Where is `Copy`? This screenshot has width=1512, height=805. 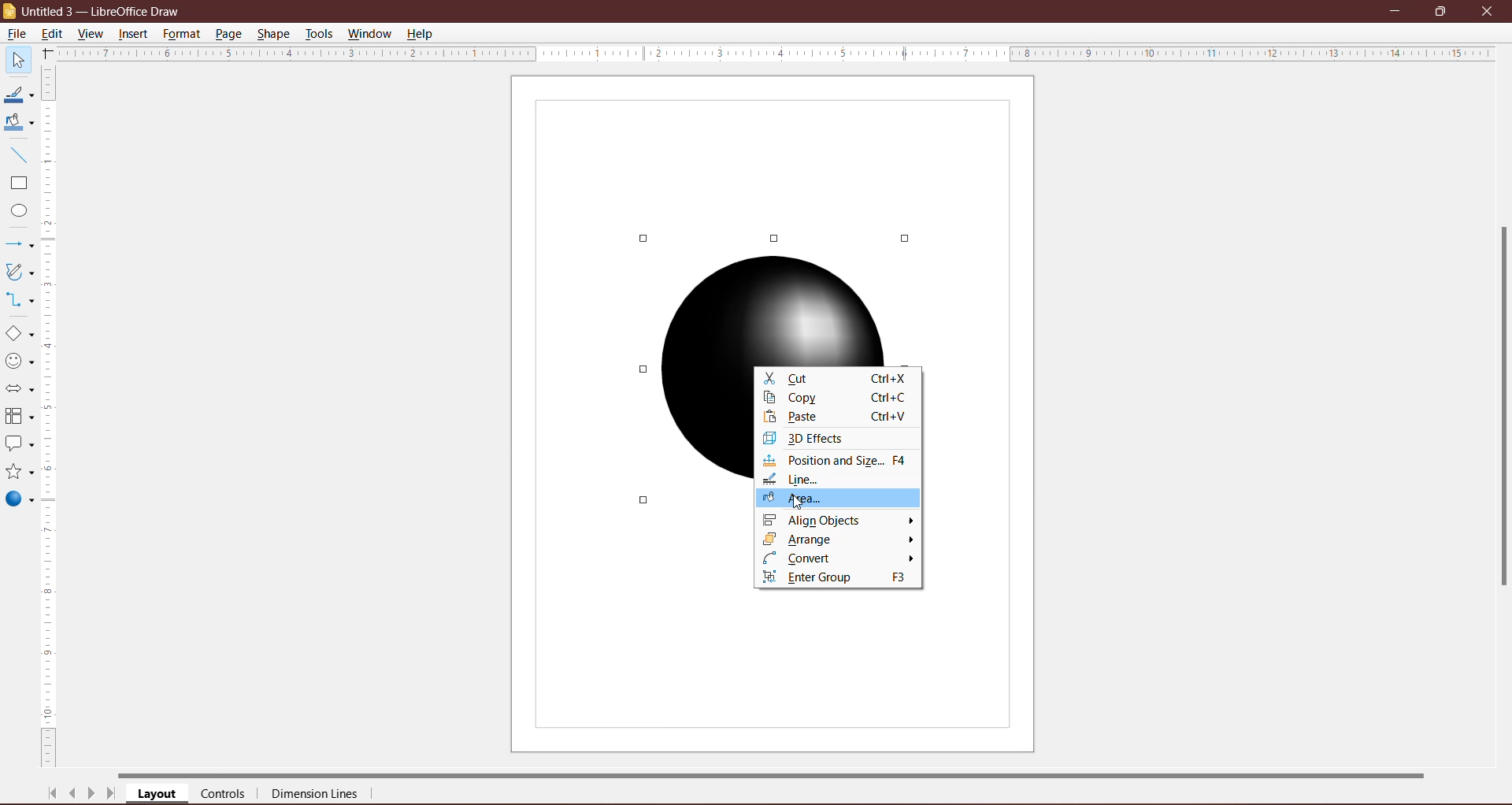 Copy is located at coordinates (833, 399).